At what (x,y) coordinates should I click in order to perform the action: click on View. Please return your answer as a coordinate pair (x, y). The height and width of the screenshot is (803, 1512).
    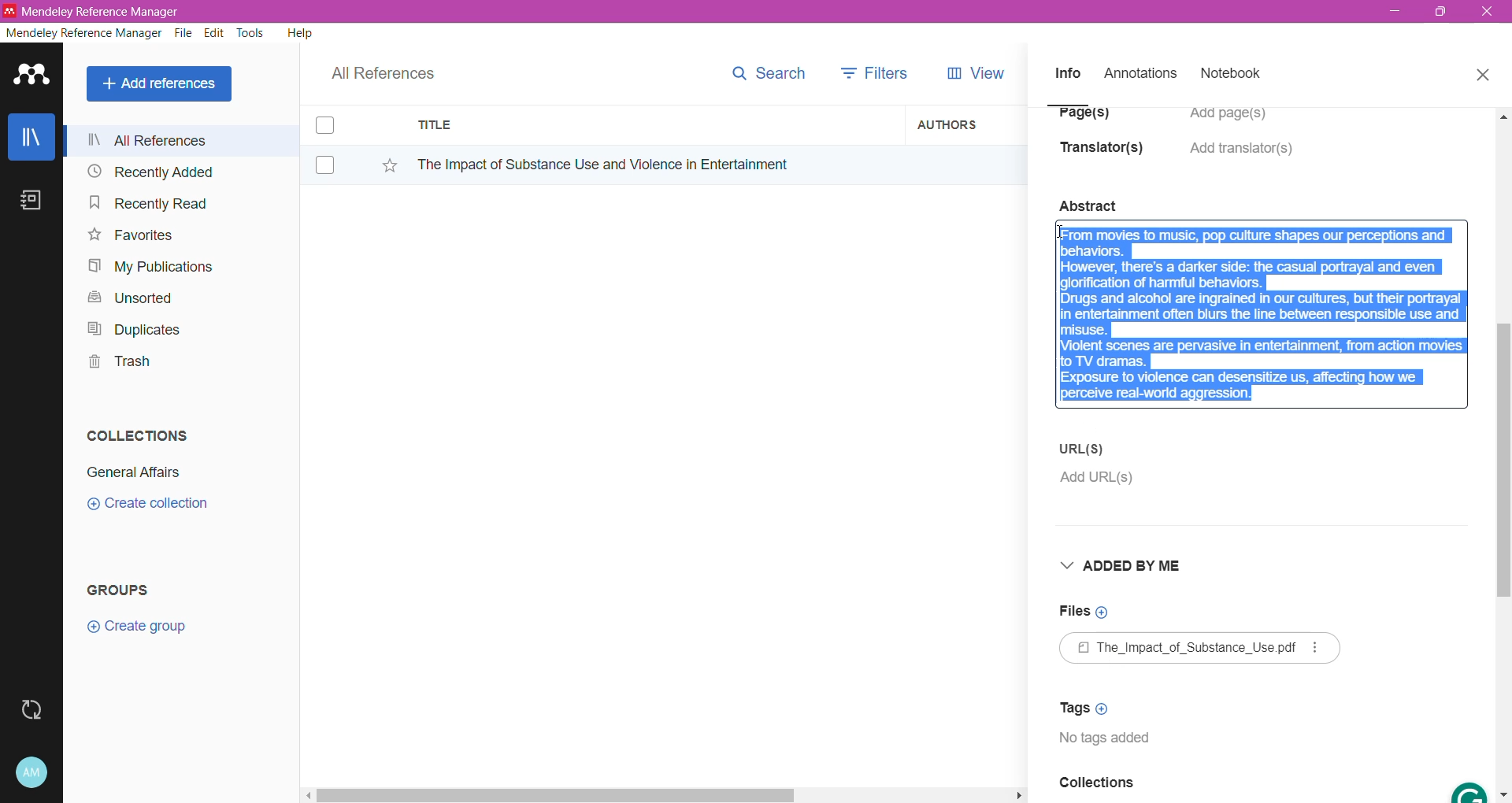
    Looking at the image, I should click on (973, 73).